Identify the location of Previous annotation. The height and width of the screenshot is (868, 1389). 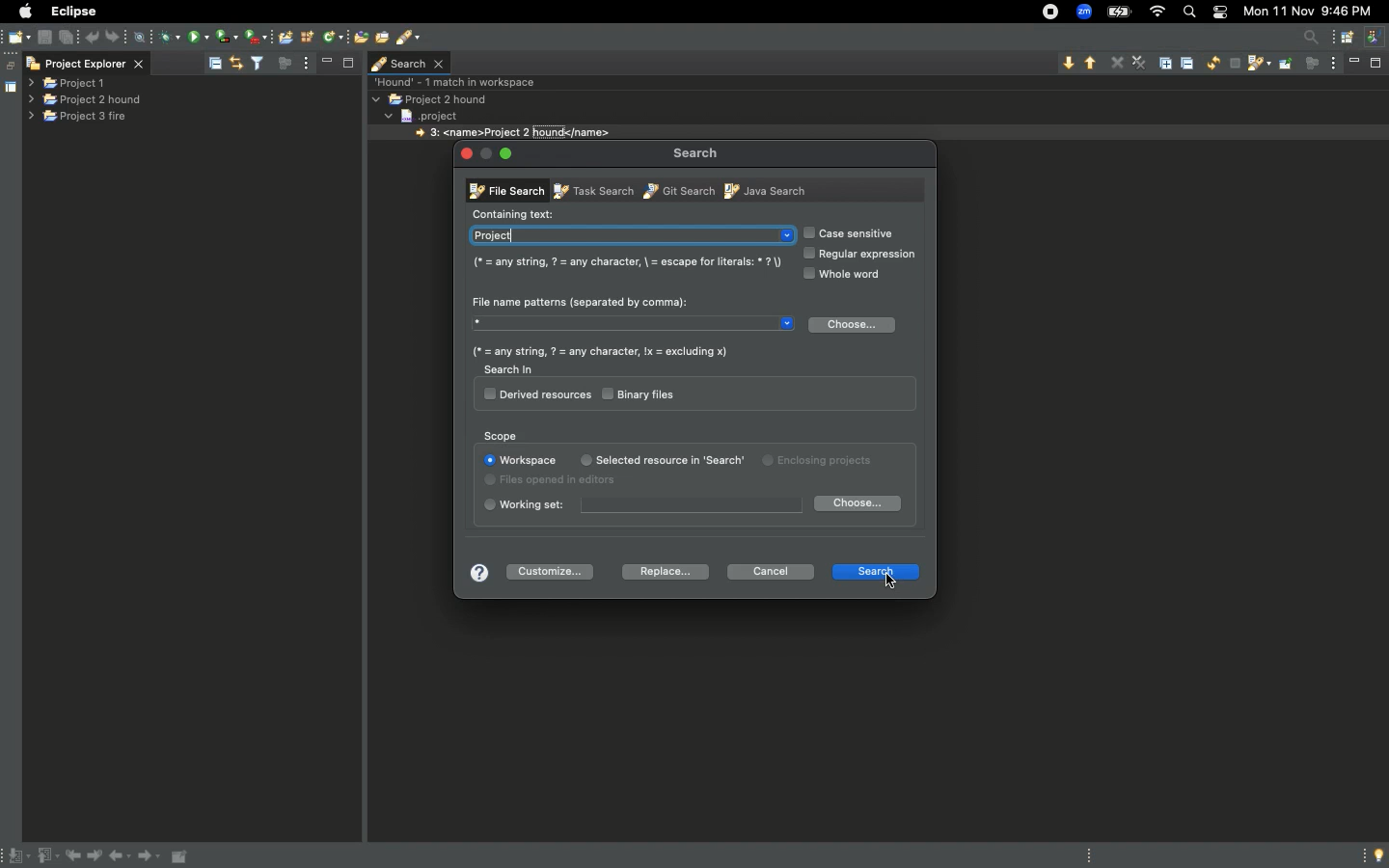
(46, 856).